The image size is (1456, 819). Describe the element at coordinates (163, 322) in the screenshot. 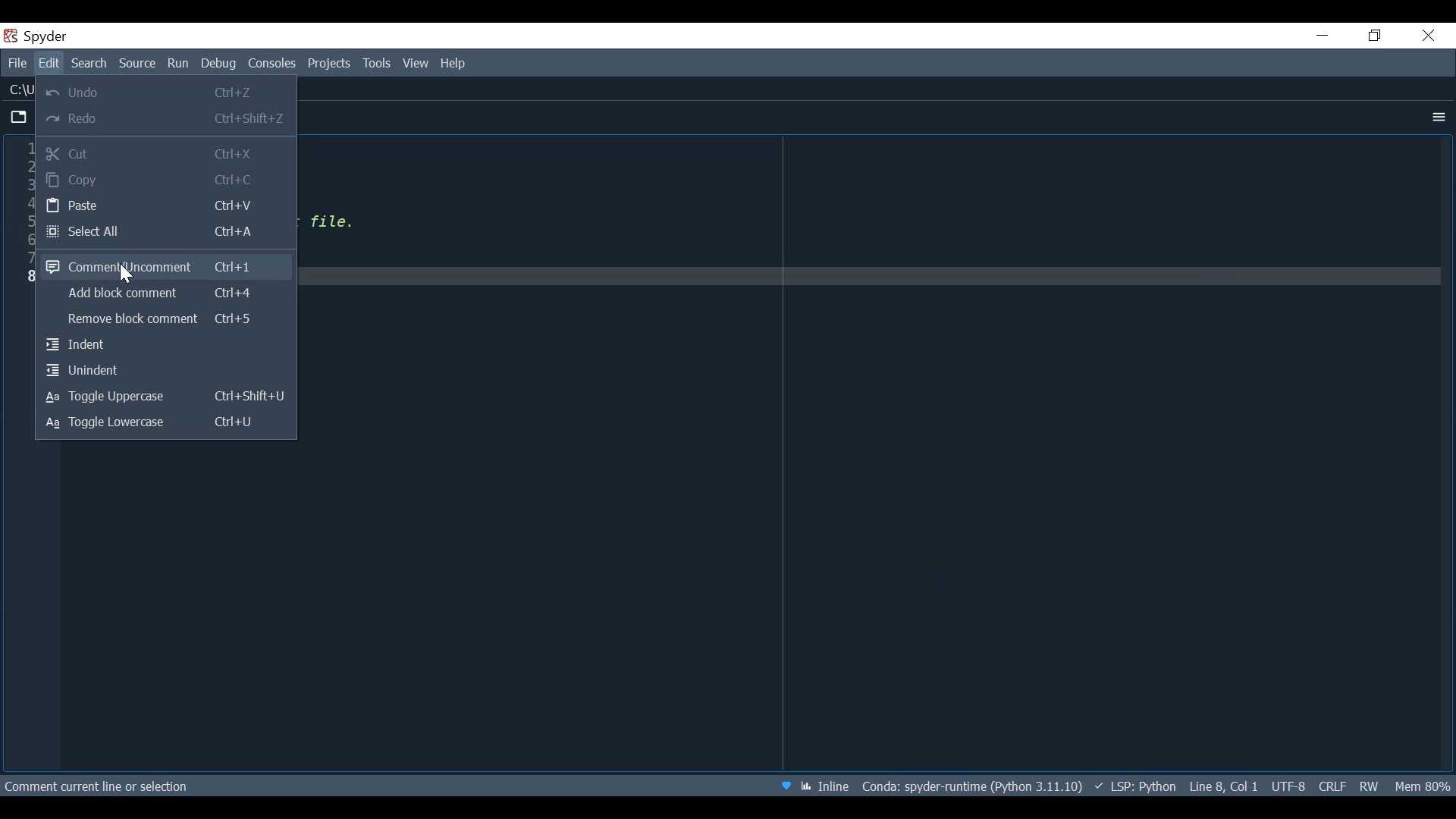

I see `Remove block comment` at that location.